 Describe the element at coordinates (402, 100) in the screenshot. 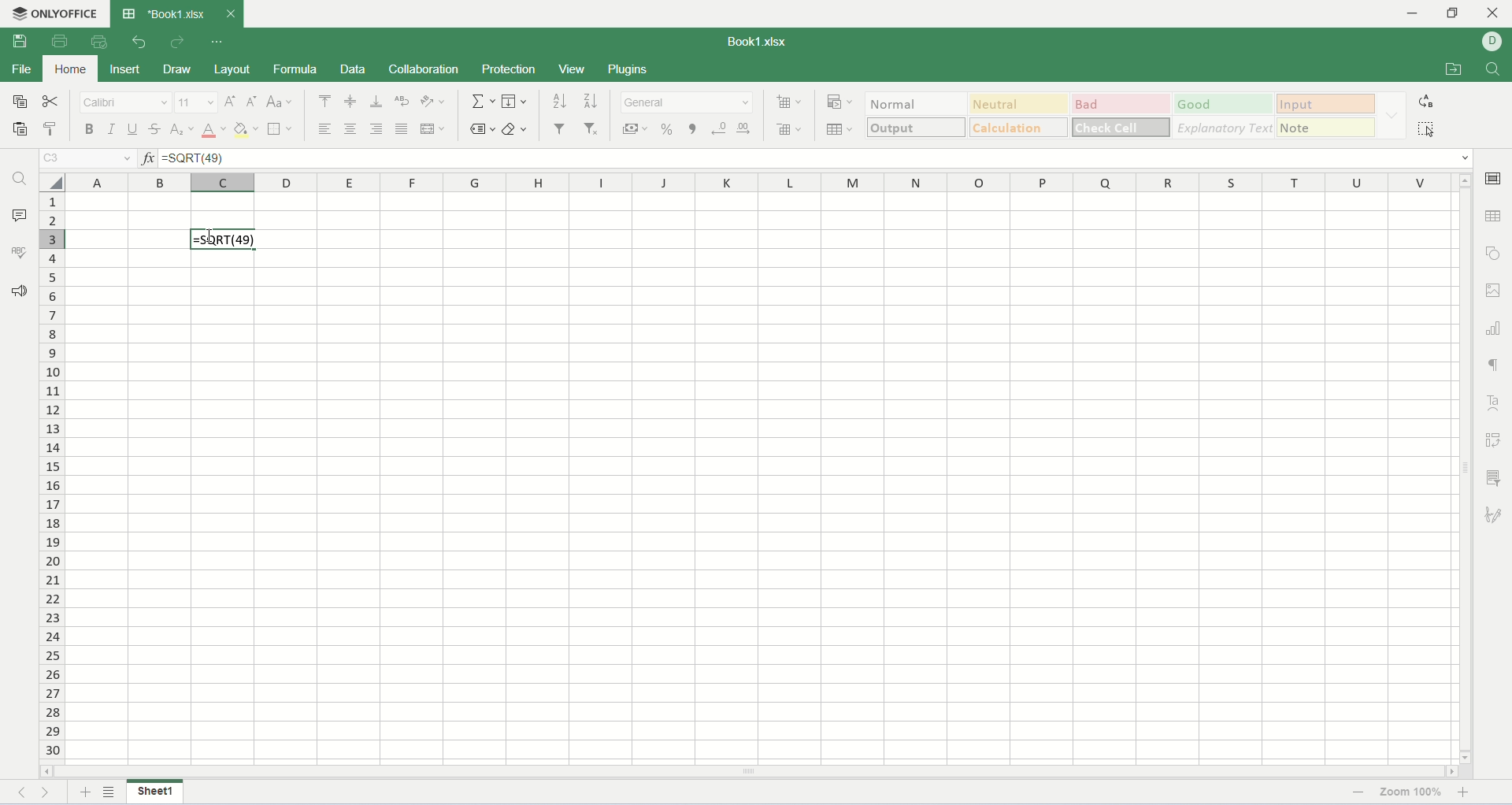

I see `wrap text` at that location.